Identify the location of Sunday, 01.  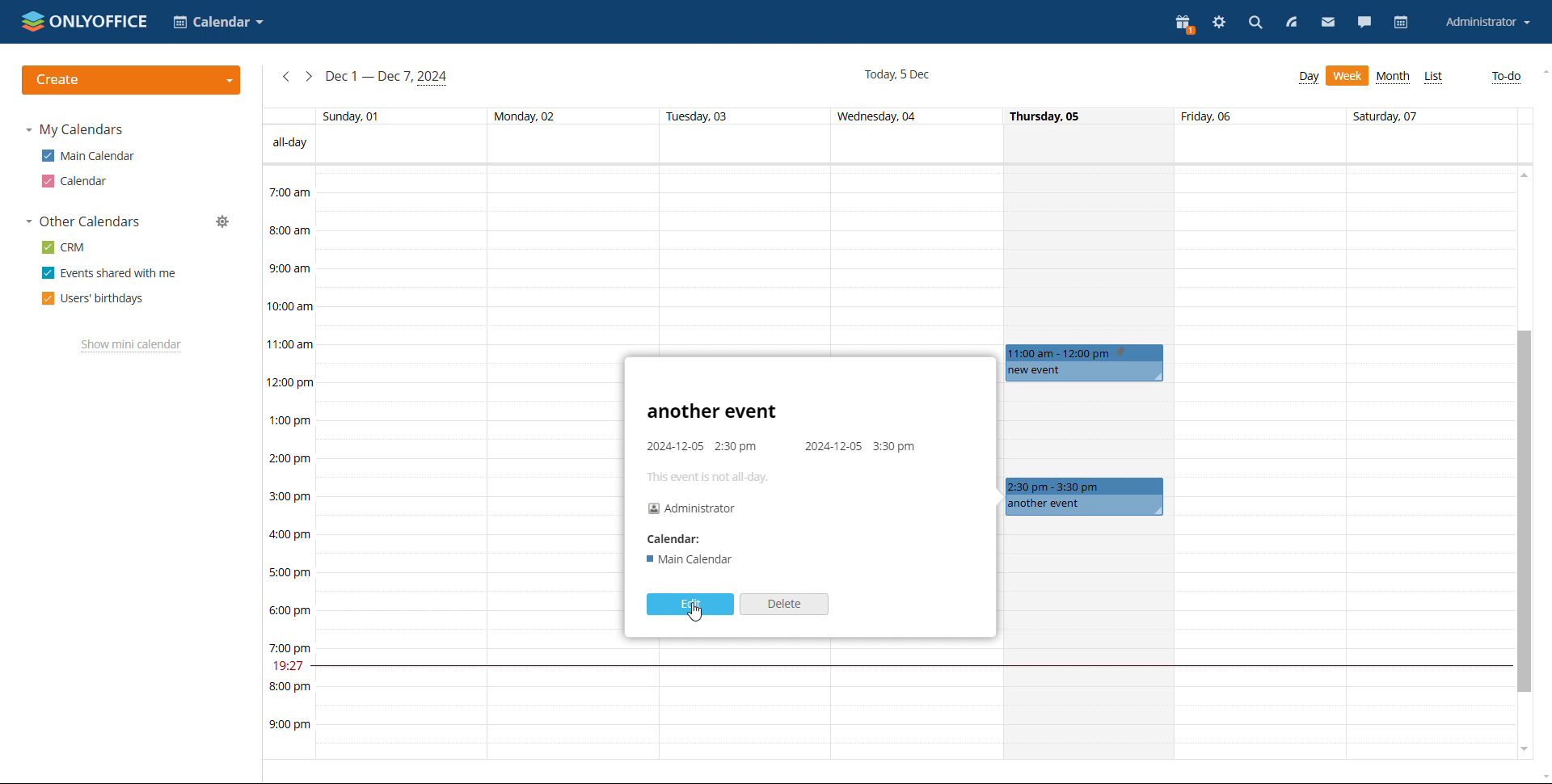
(356, 116).